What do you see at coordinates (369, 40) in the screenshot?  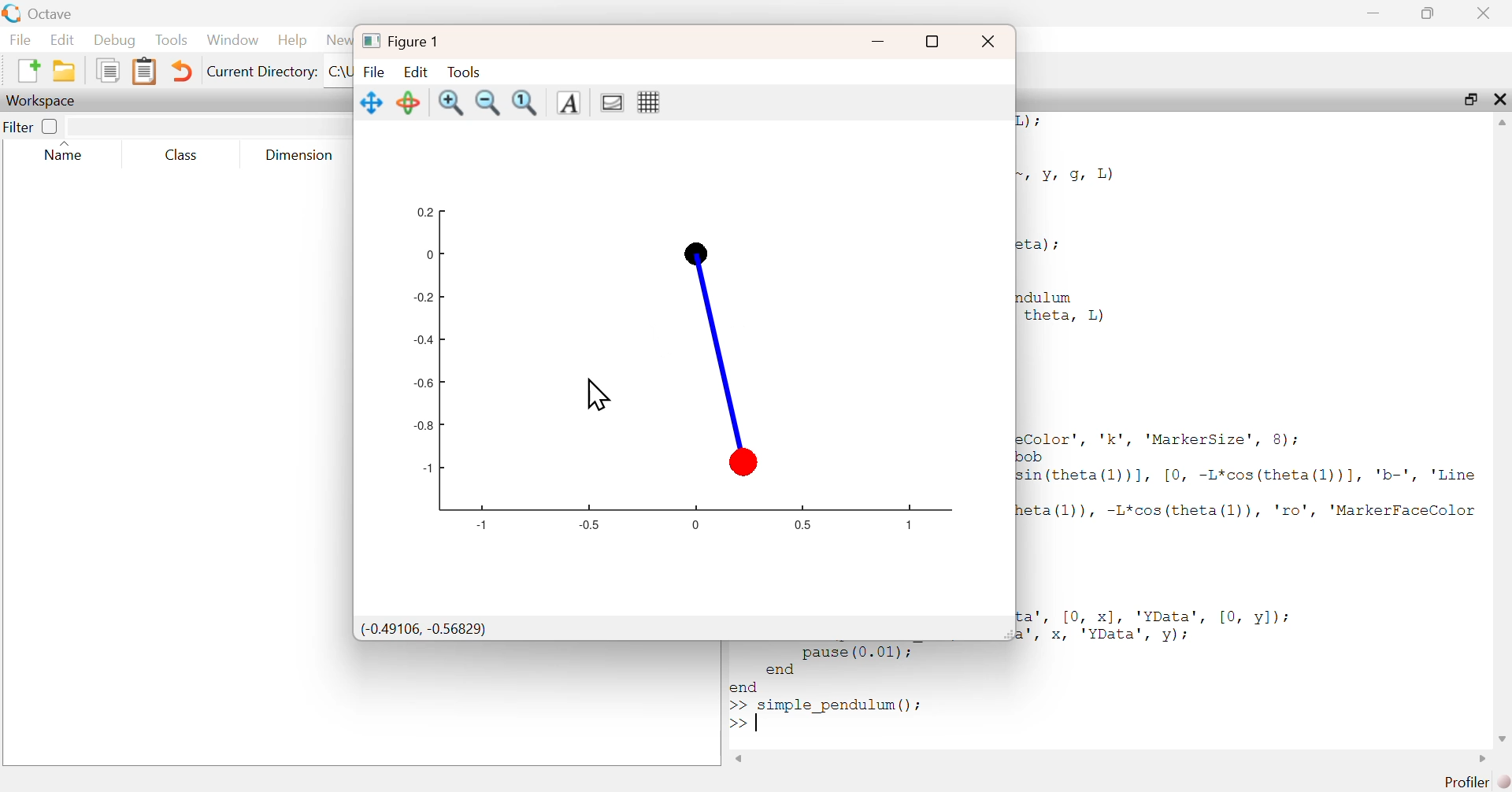 I see `logo` at bounding box center [369, 40].